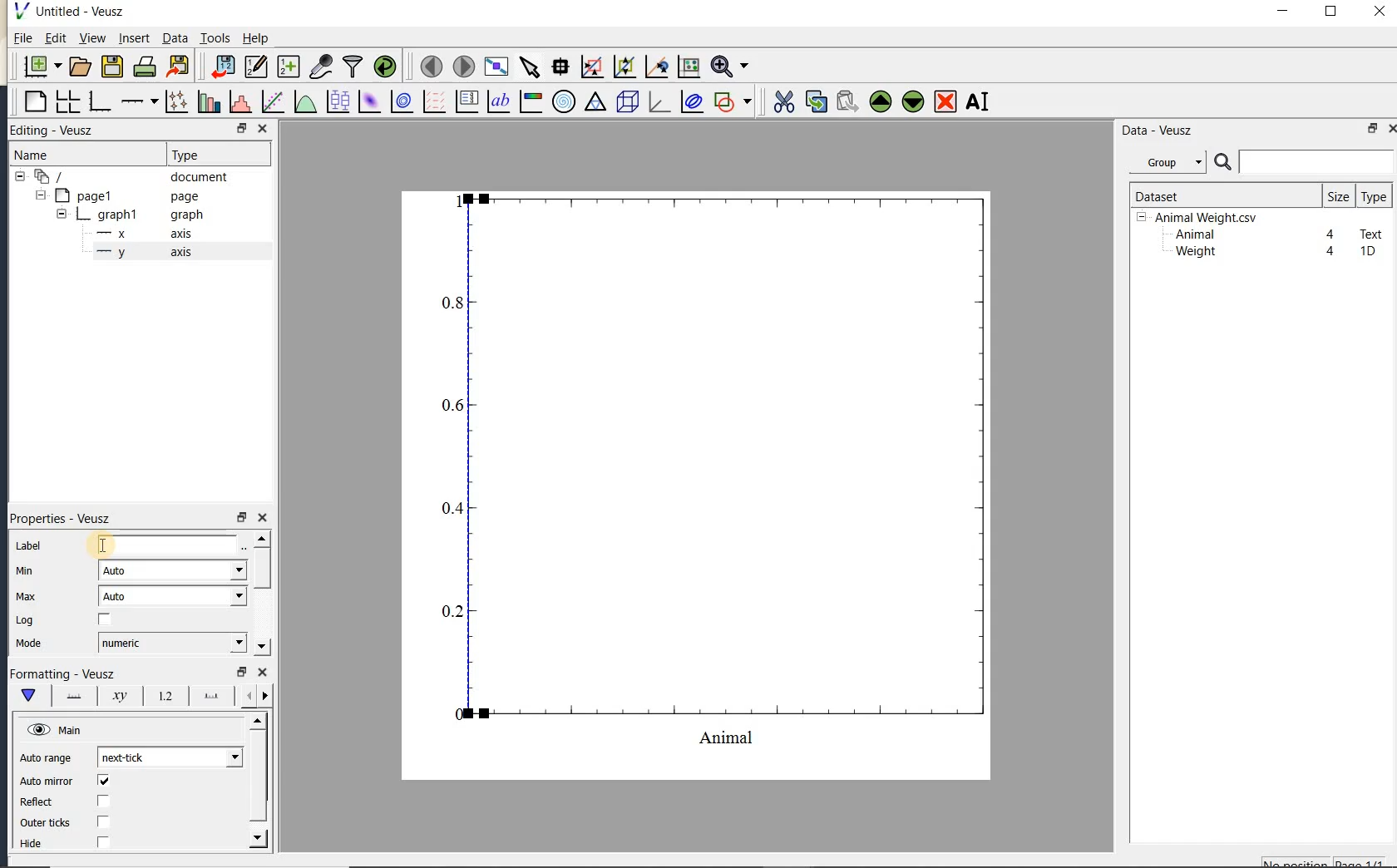 Image resolution: width=1397 pixels, height=868 pixels. I want to click on close, so click(262, 518).